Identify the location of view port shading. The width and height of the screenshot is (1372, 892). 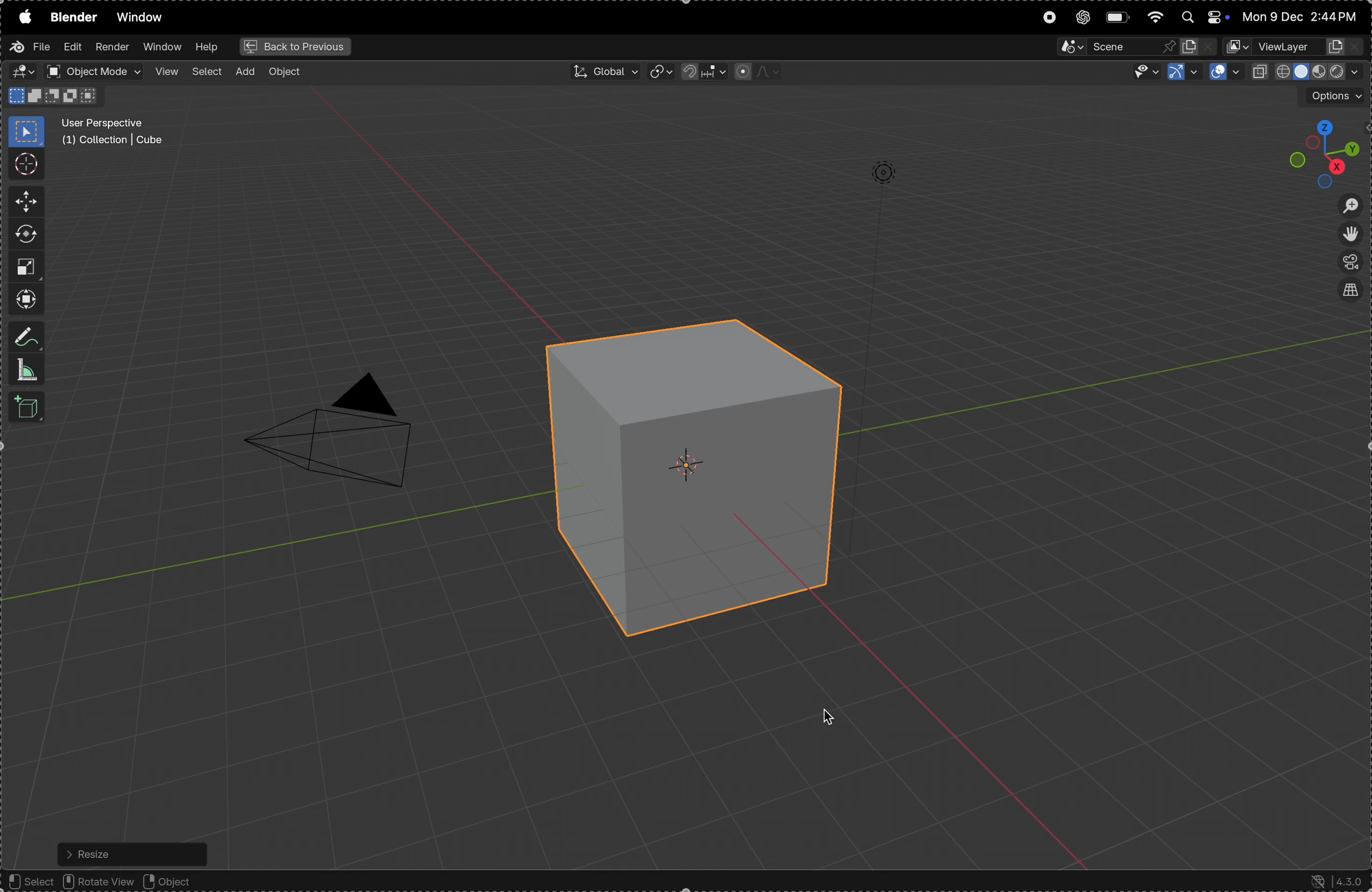
(1307, 71).